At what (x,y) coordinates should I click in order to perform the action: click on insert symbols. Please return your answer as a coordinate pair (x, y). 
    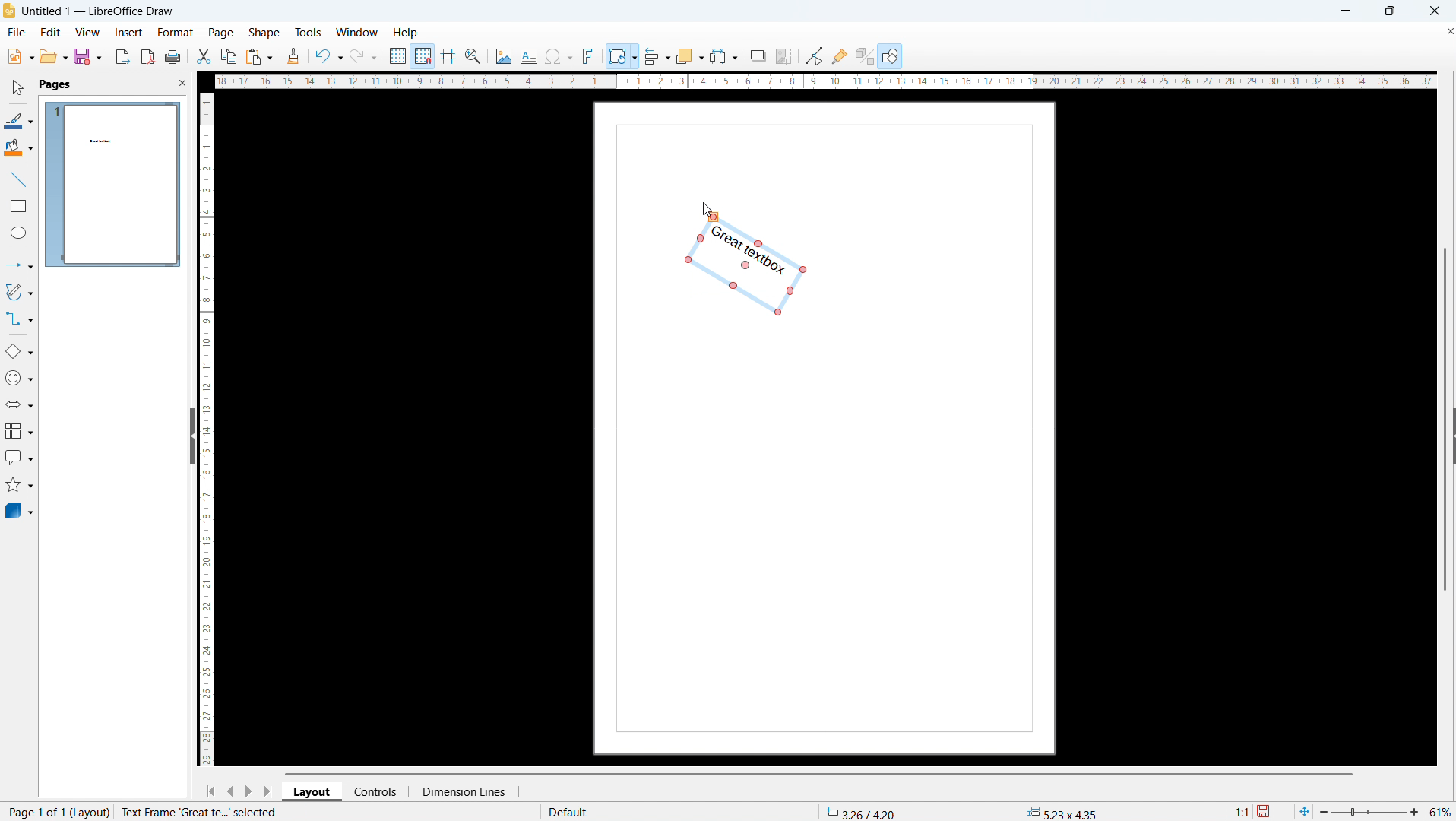
    Looking at the image, I should click on (559, 56).